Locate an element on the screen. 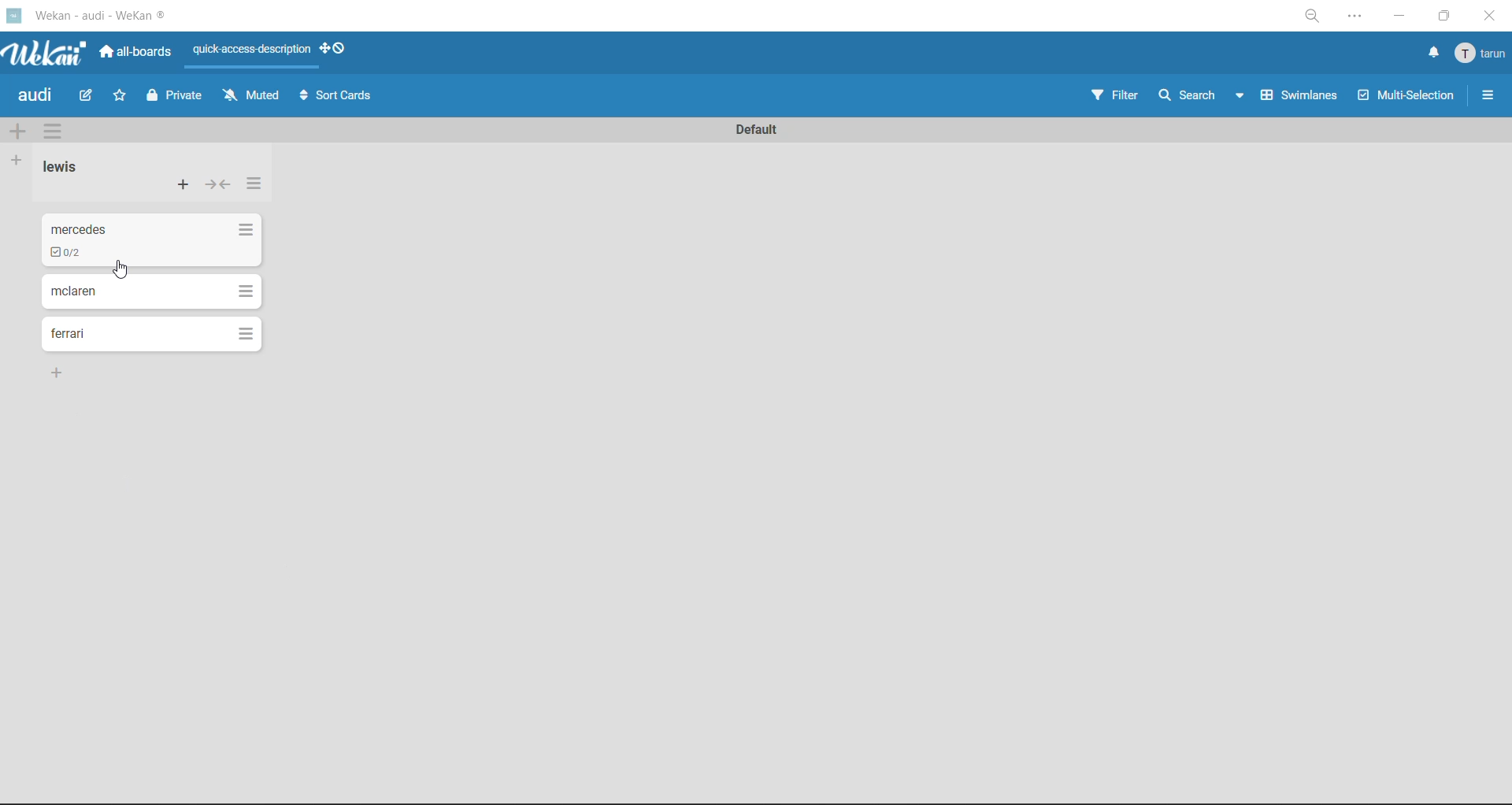 The height and width of the screenshot is (805, 1512). list actions is located at coordinates (243, 290).